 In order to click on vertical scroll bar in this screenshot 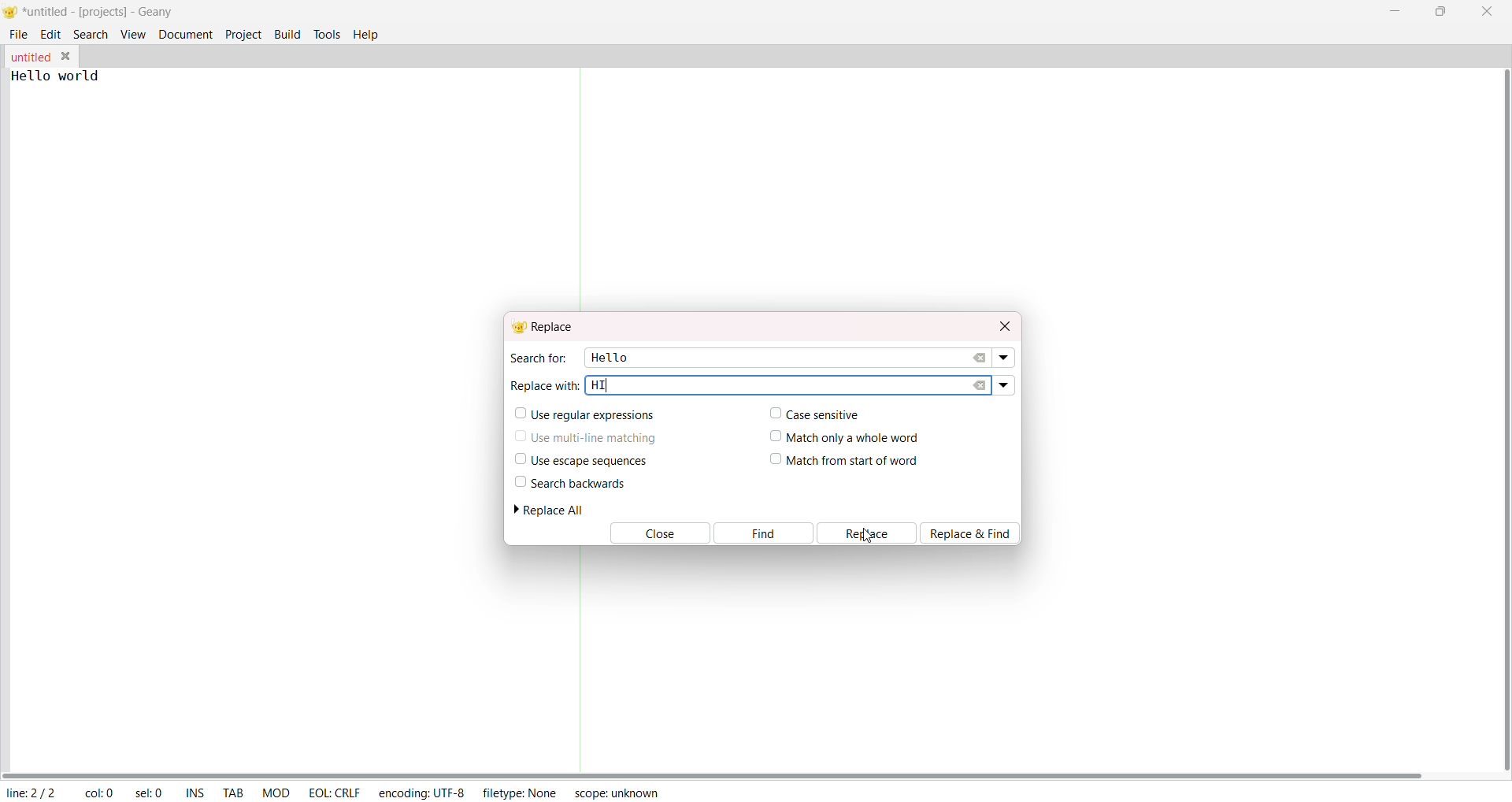, I will do `click(1501, 420)`.